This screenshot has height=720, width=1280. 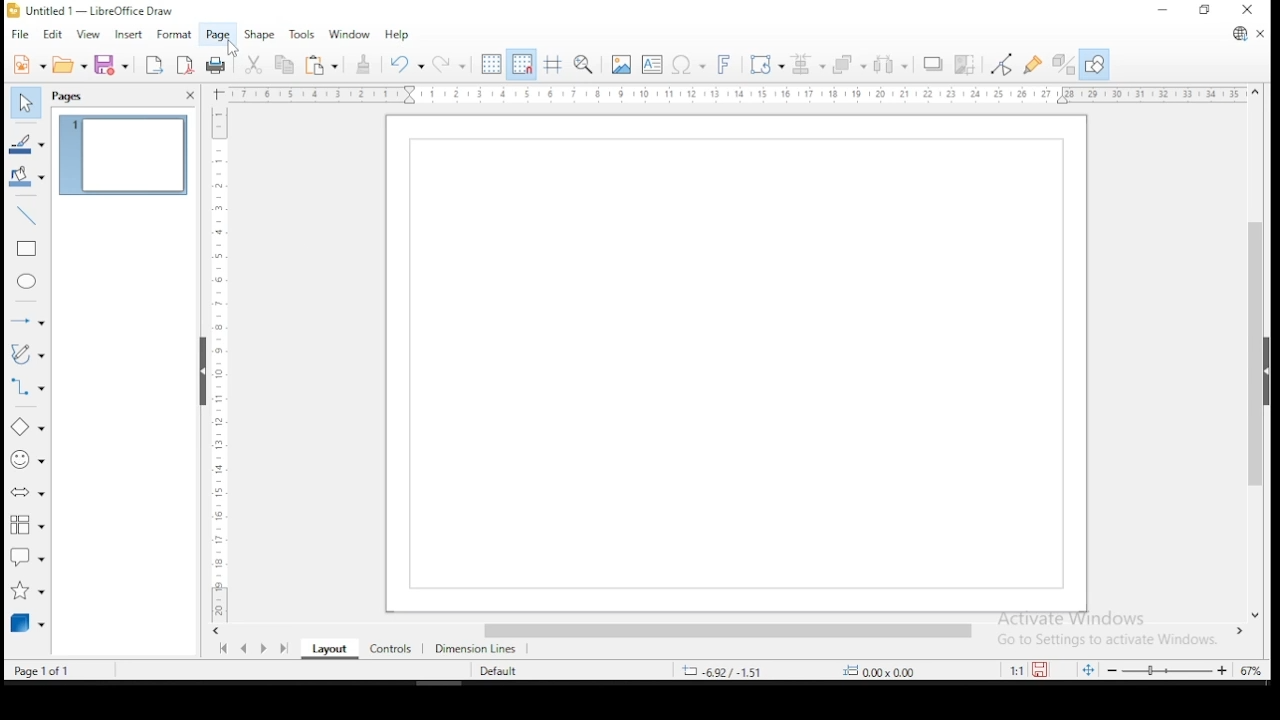 I want to click on arrange, so click(x=848, y=65).